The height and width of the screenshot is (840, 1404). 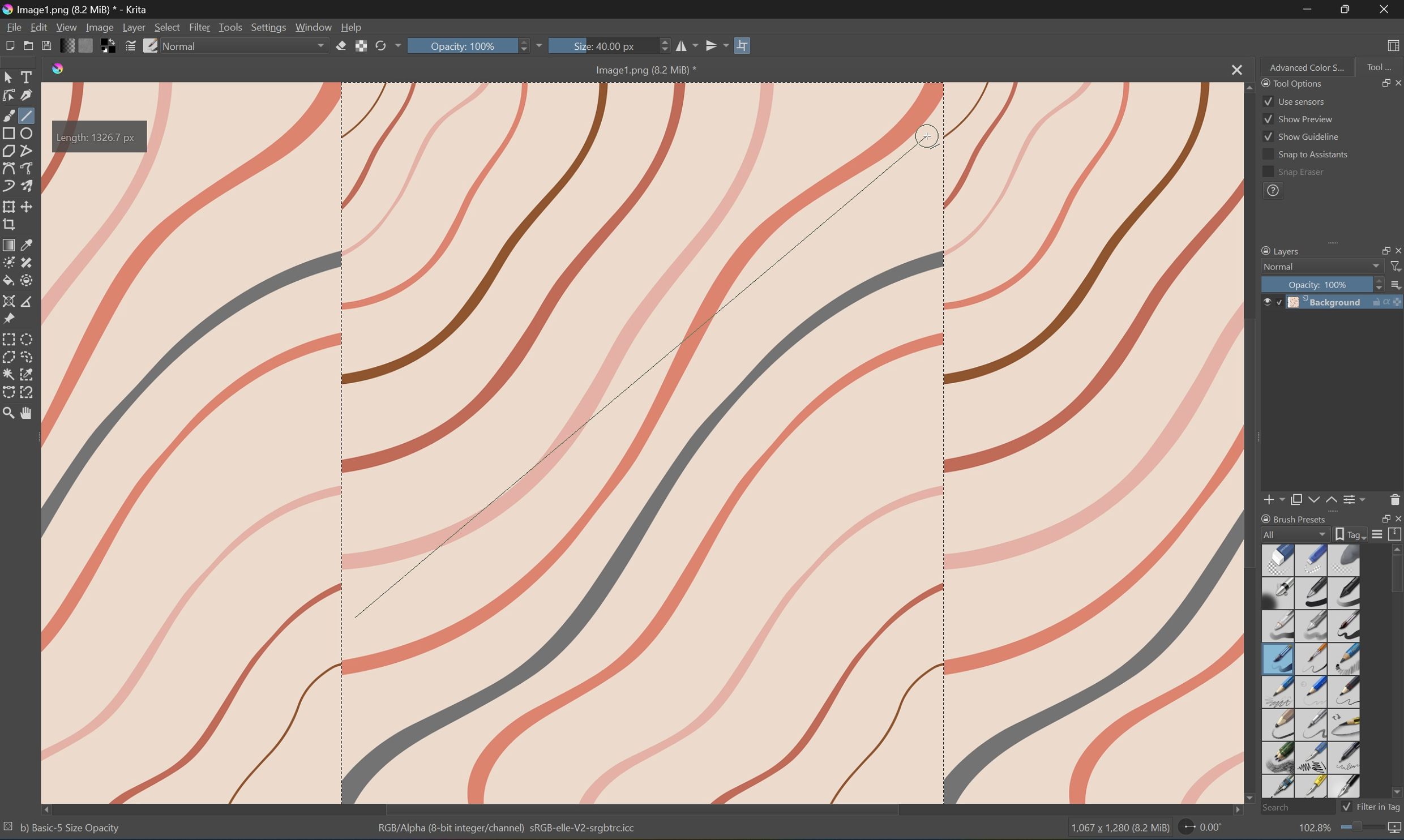 What do you see at coordinates (9, 186) in the screenshot?
I see `Dynamic brush tool` at bounding box center [9, 186].